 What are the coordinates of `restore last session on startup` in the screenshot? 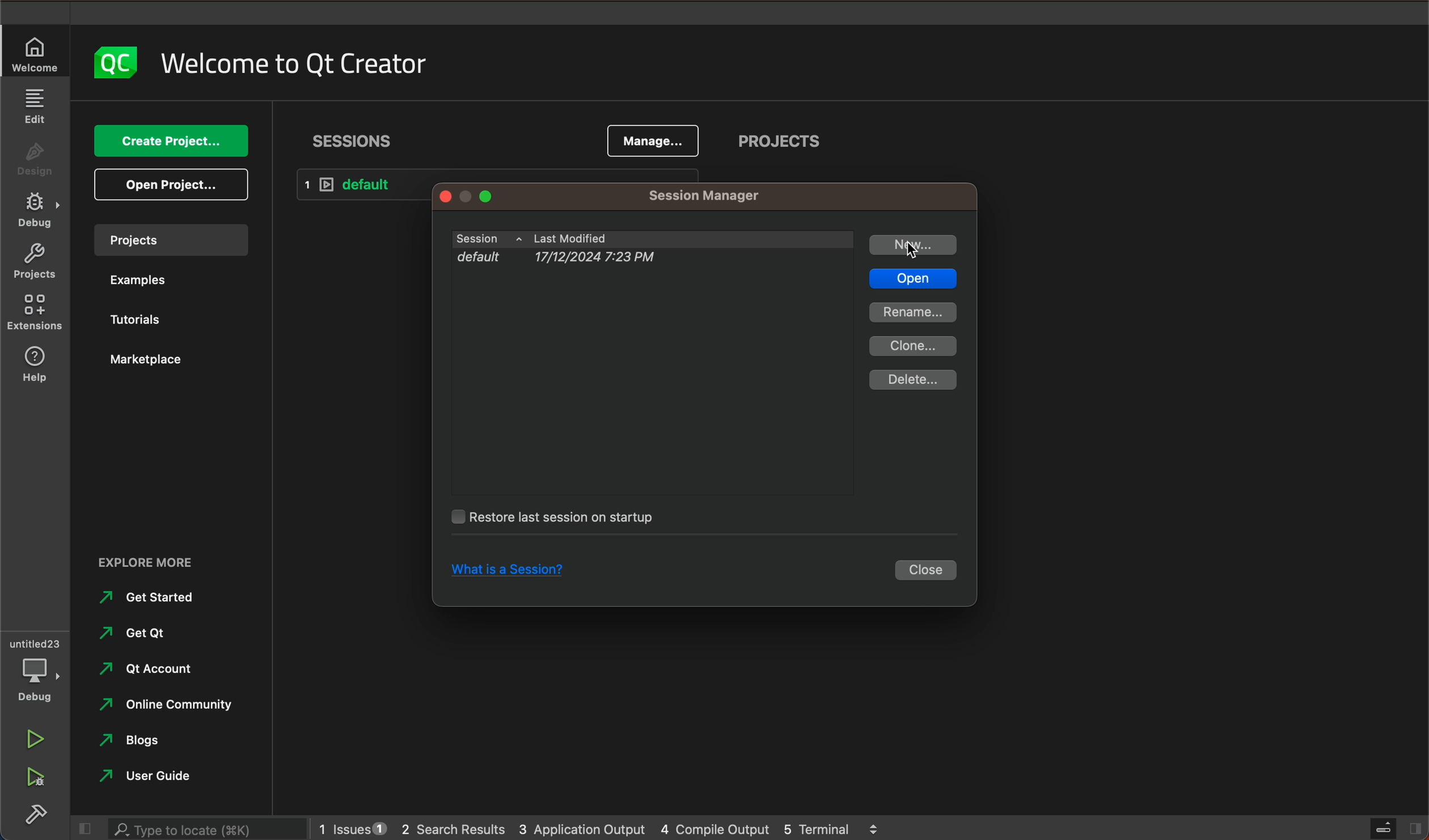 It's located at (563, 516).